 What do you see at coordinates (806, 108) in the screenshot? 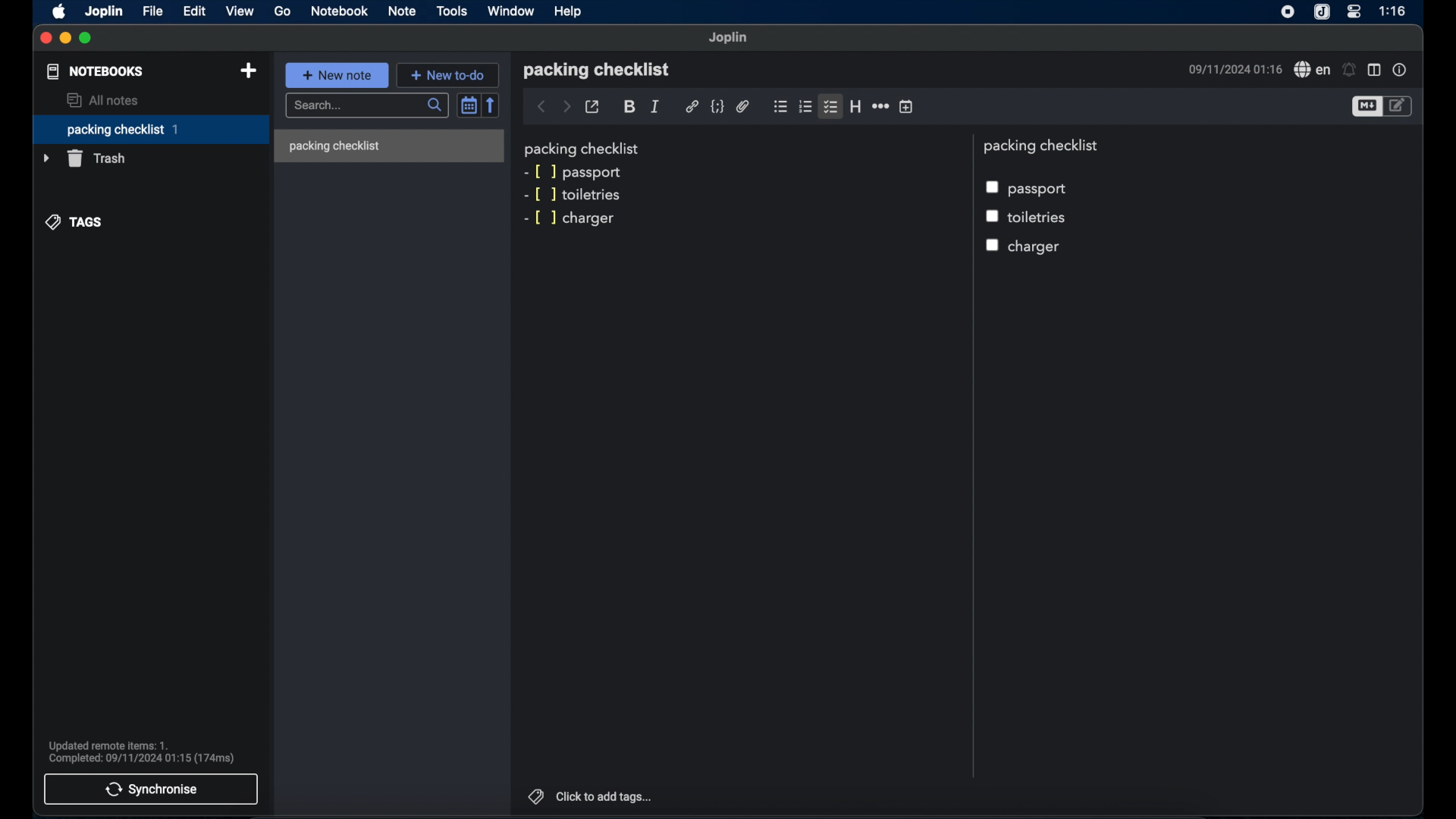
I see `numbered checklist` at bounding box center [806, 108].